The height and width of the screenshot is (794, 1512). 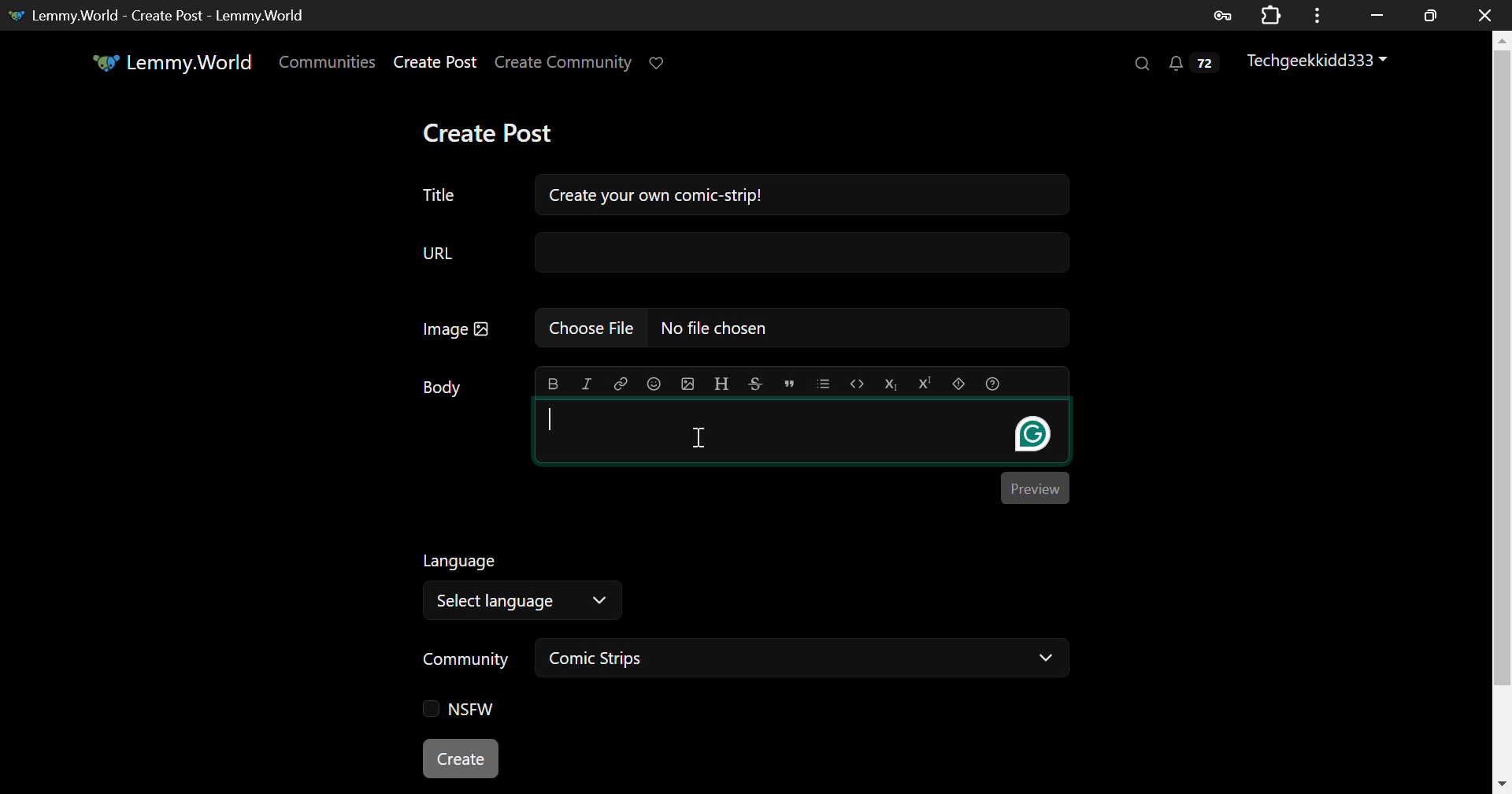 What do you see at coordinates (699, 436) in the screenshot?
I see `Cursor on Post Body Field` at bounding box center [699, 436].